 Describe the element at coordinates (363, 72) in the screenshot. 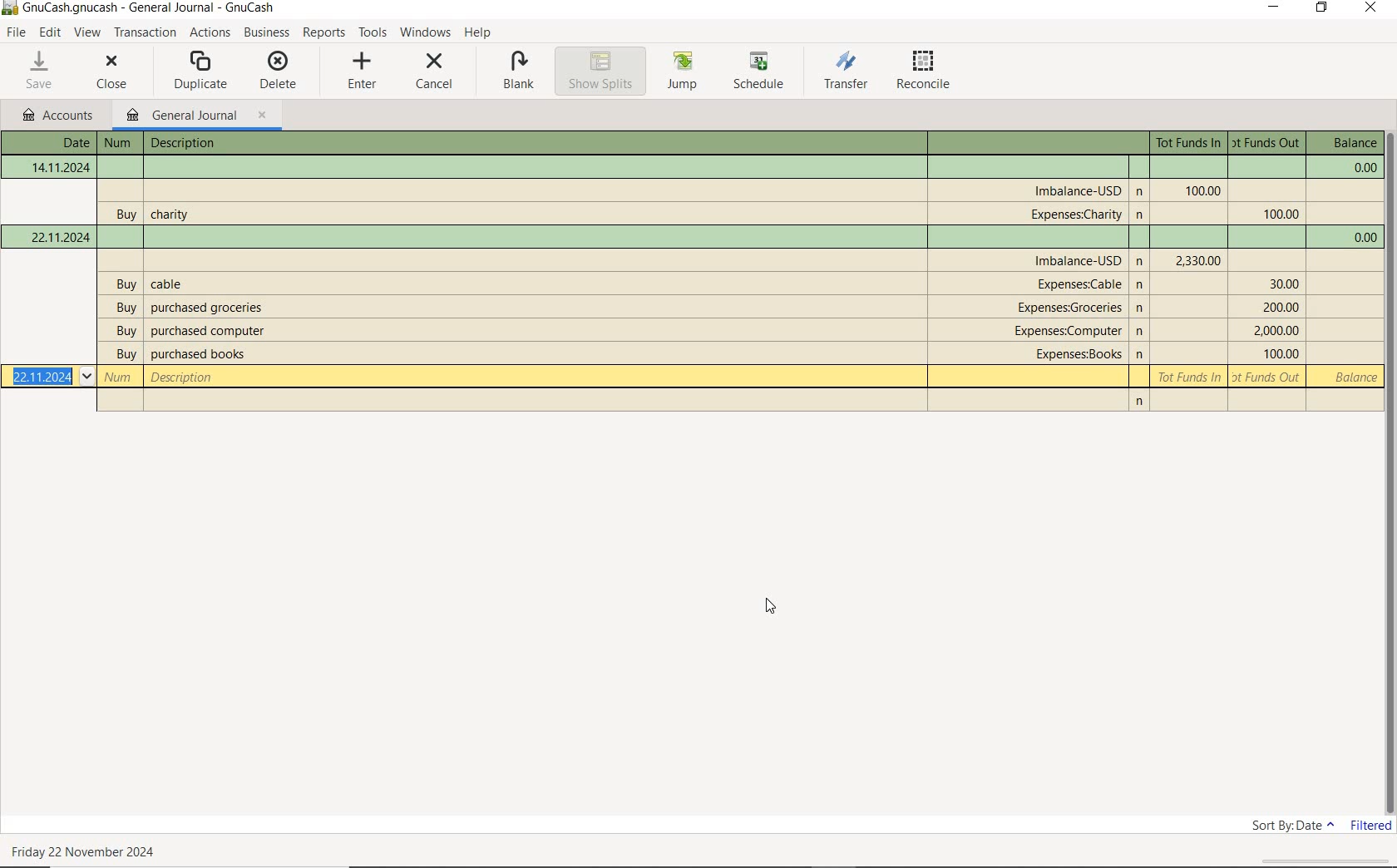

I see `ENTER` at that location.